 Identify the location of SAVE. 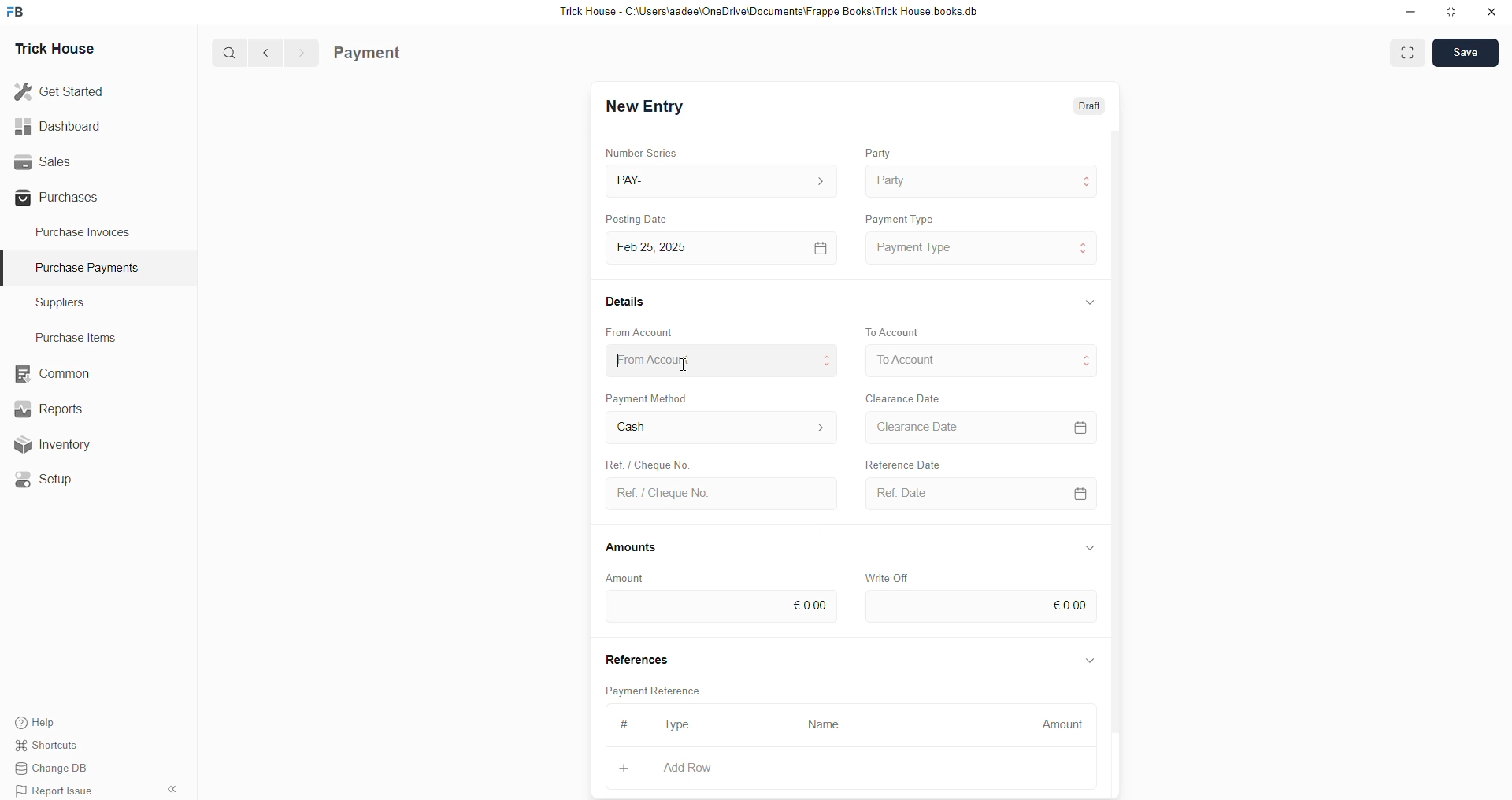
(1469, 51).